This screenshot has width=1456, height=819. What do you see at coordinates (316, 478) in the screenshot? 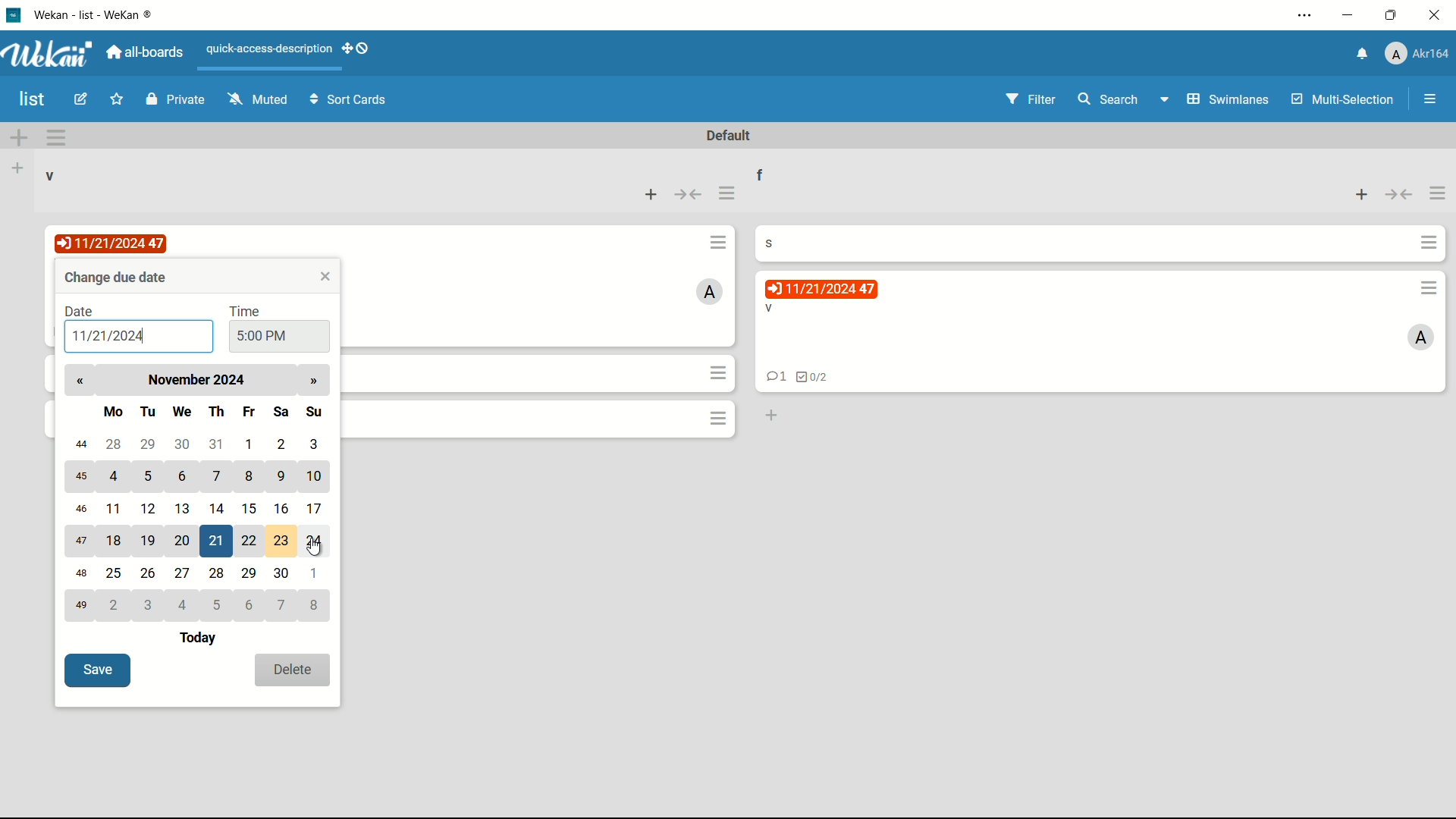
I see `10` at bounding box center [316, 478].